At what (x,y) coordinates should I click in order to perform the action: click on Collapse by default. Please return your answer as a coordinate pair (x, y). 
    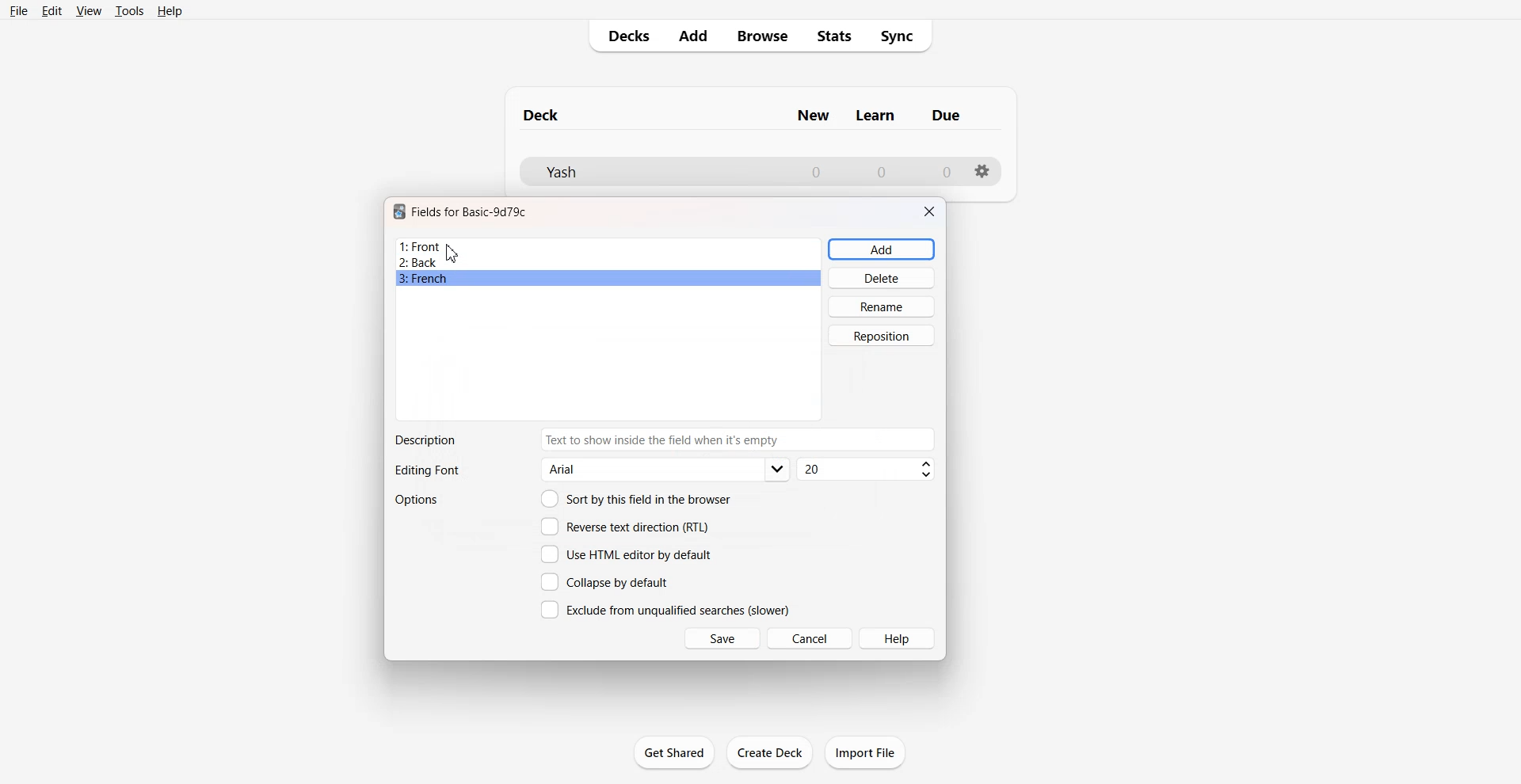
    Looking at the image, I should click on (608, 581).